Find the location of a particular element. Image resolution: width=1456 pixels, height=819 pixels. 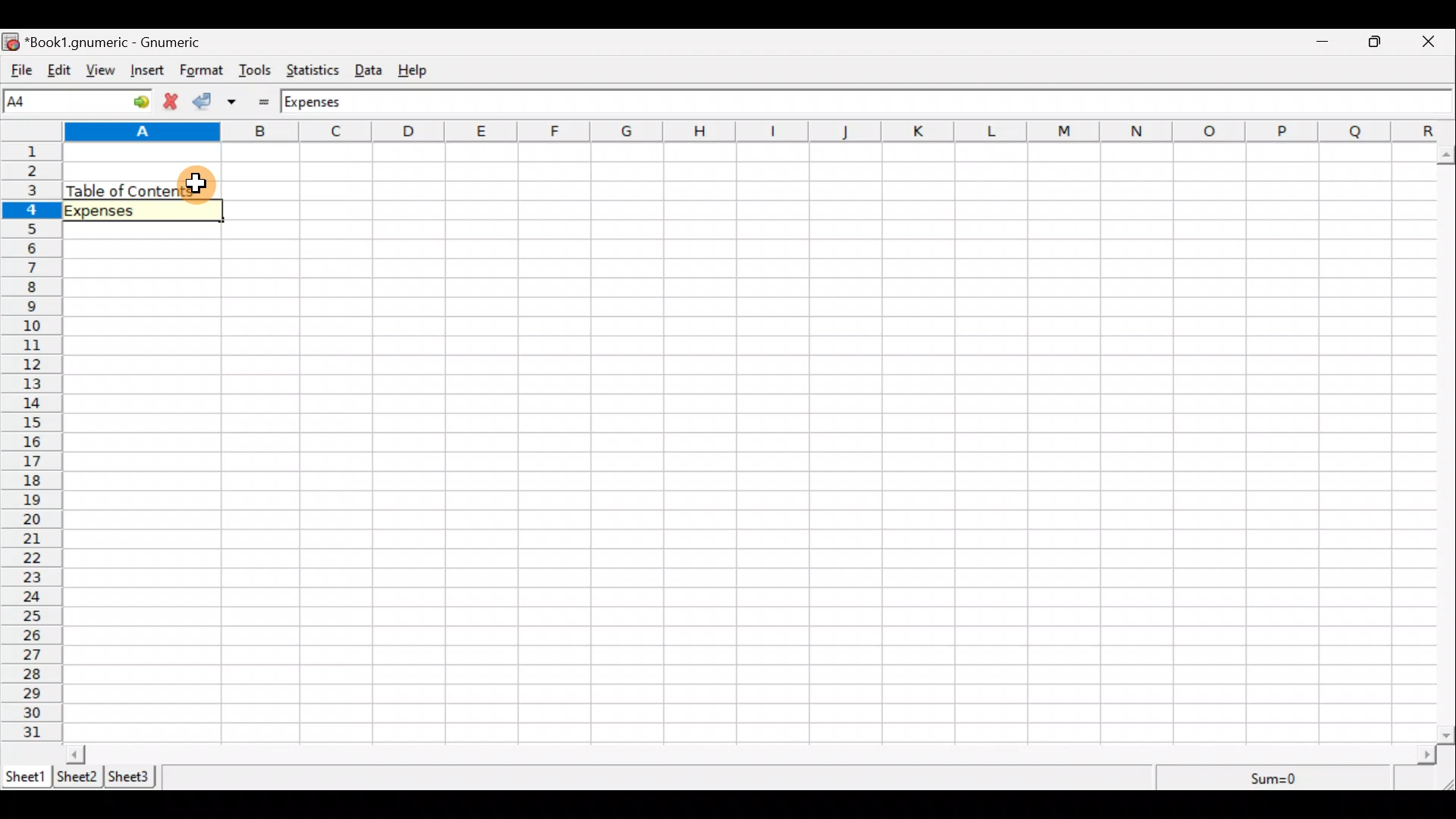

Accept change is located at coordinates (206, 102).